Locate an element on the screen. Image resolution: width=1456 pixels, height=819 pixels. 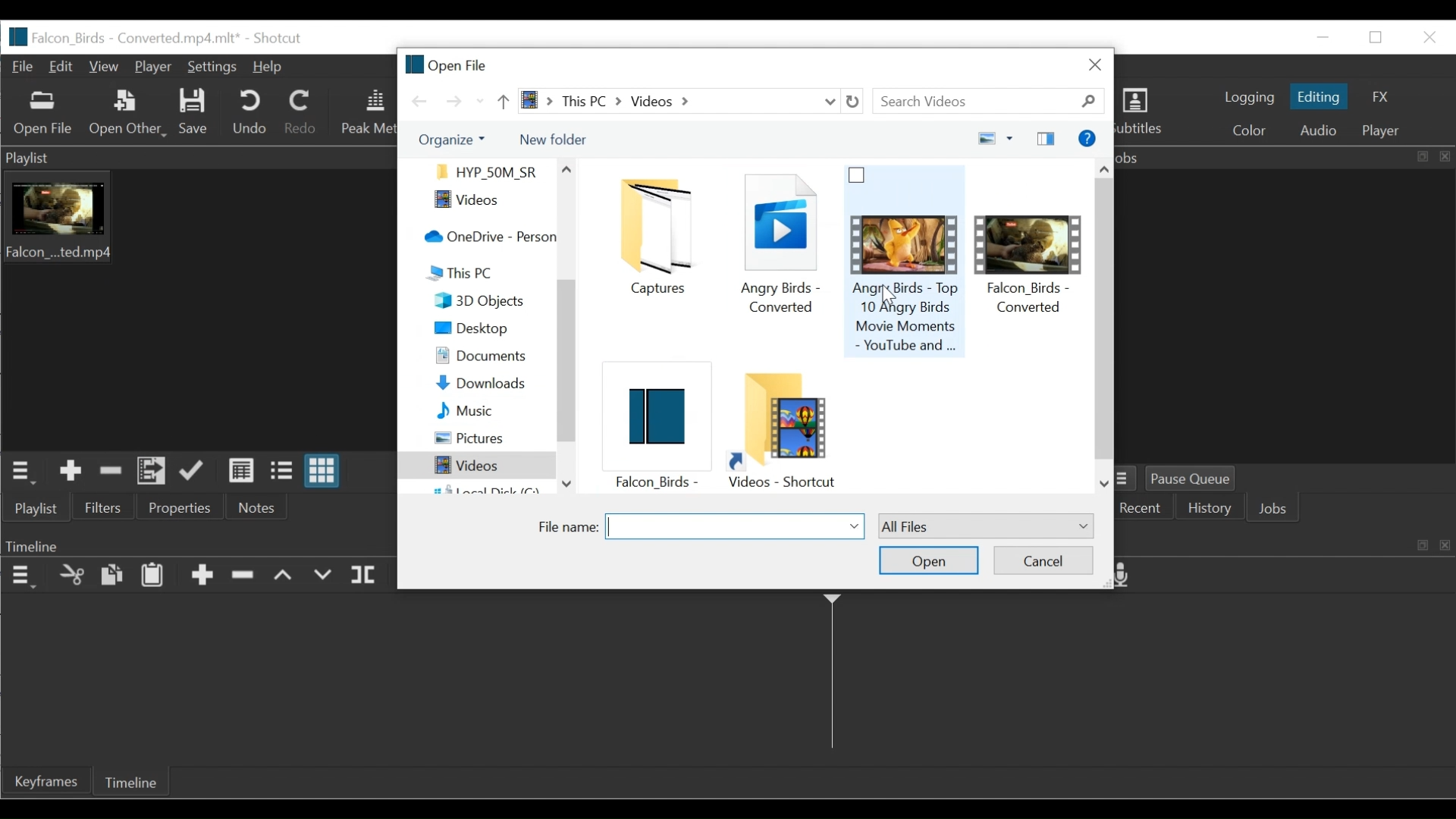
Open Other is located at coordinates (125, 112).